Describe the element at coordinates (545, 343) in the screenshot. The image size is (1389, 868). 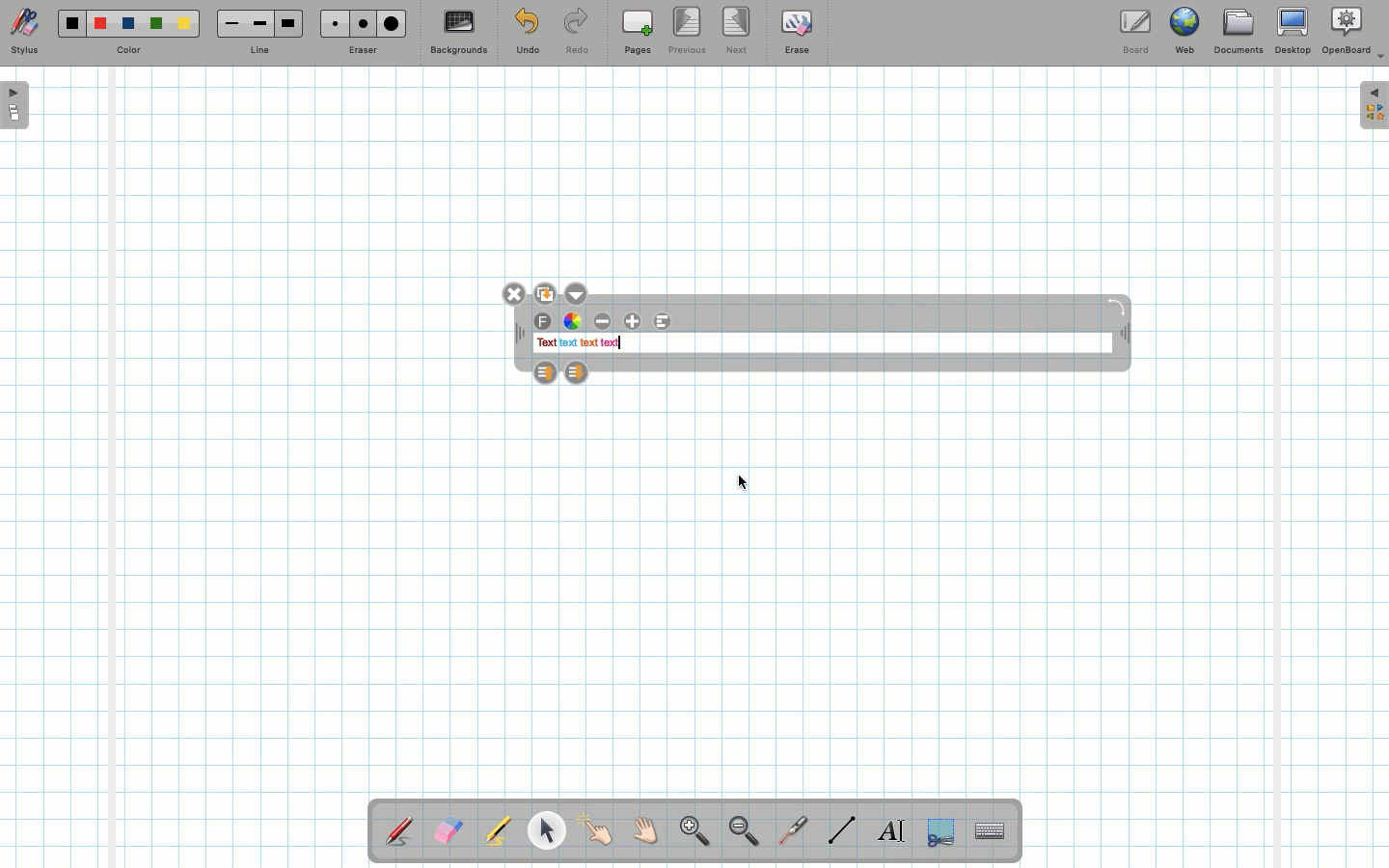
I see `text` at that location.